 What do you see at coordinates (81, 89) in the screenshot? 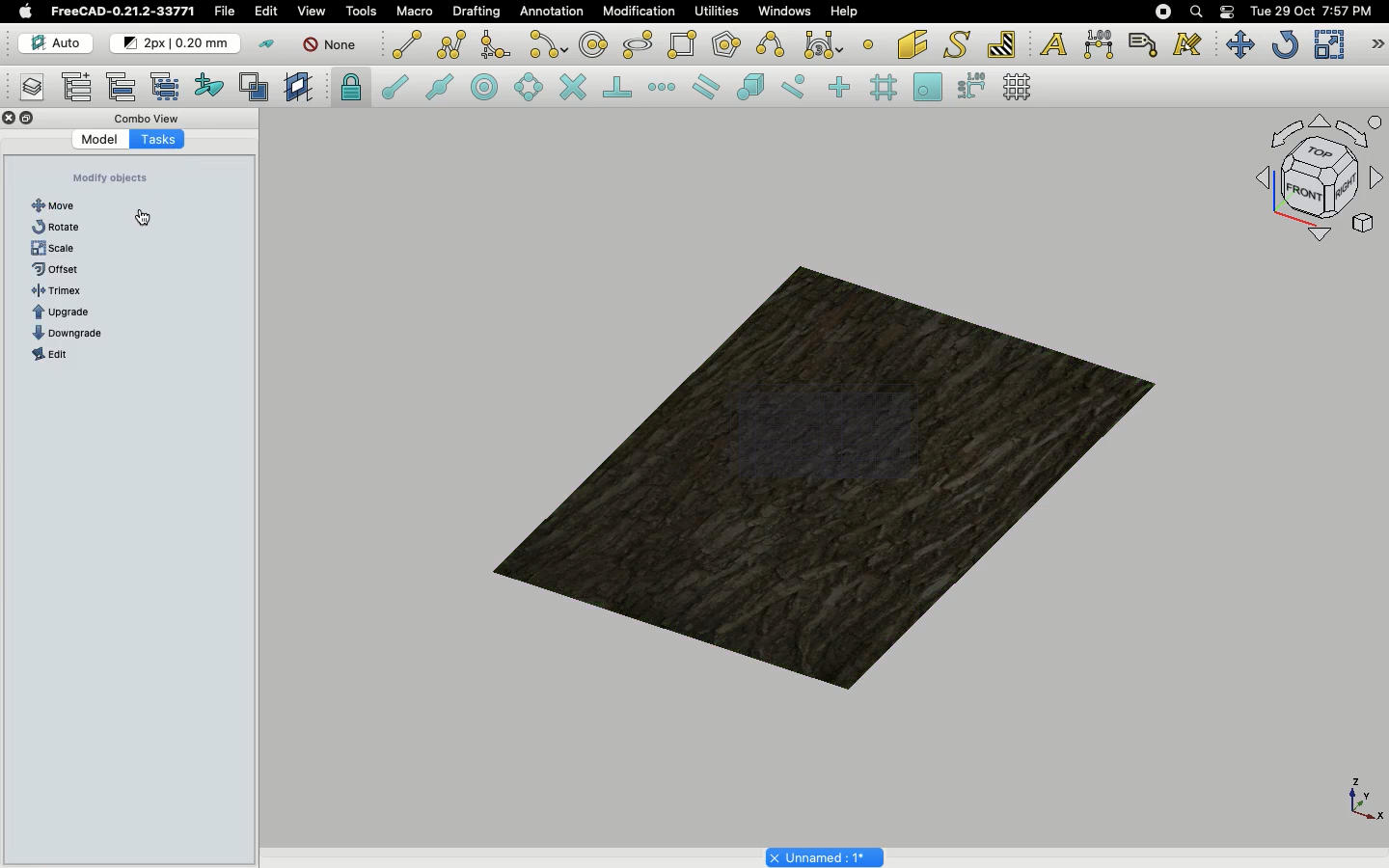
I see `Add new named group` at bounding box center [81, 89].